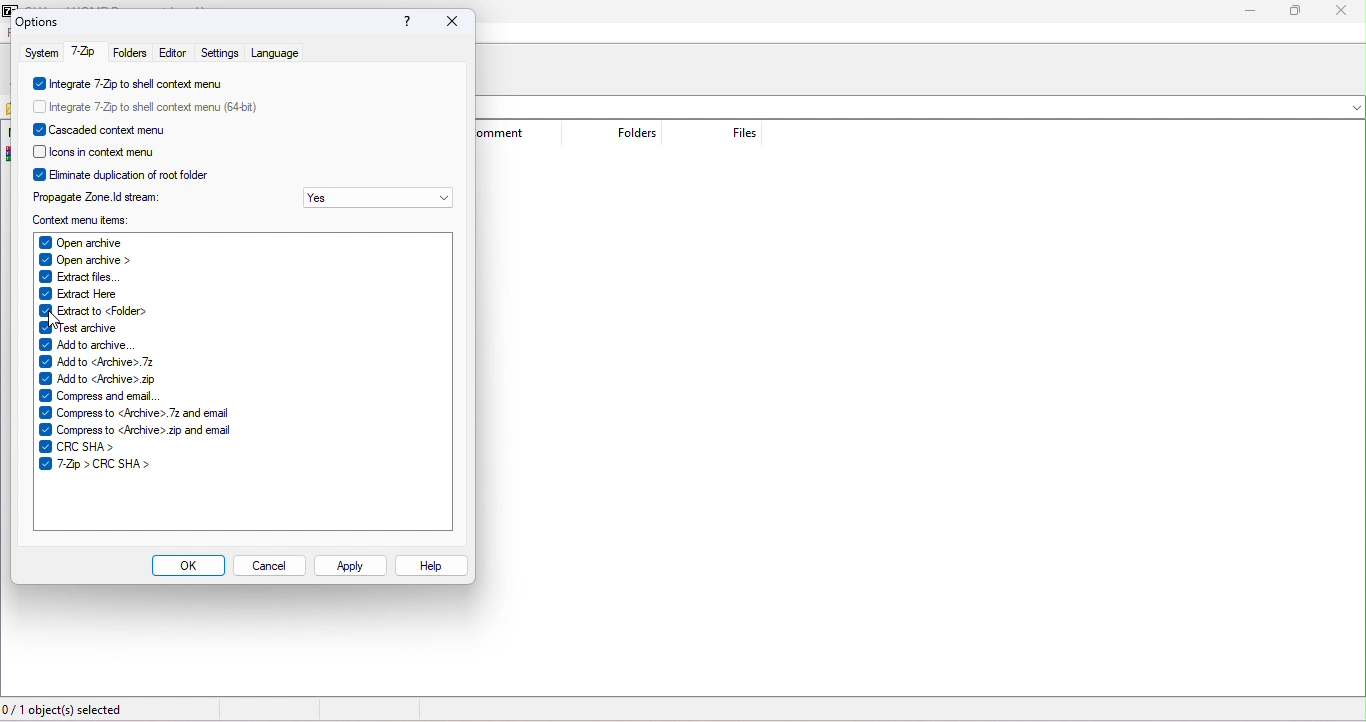 The height and width of the screenshot is (722, 1366). Describe the element at coordinates (120, 128) in the screenshot. I see `cascade context menu` at that location.